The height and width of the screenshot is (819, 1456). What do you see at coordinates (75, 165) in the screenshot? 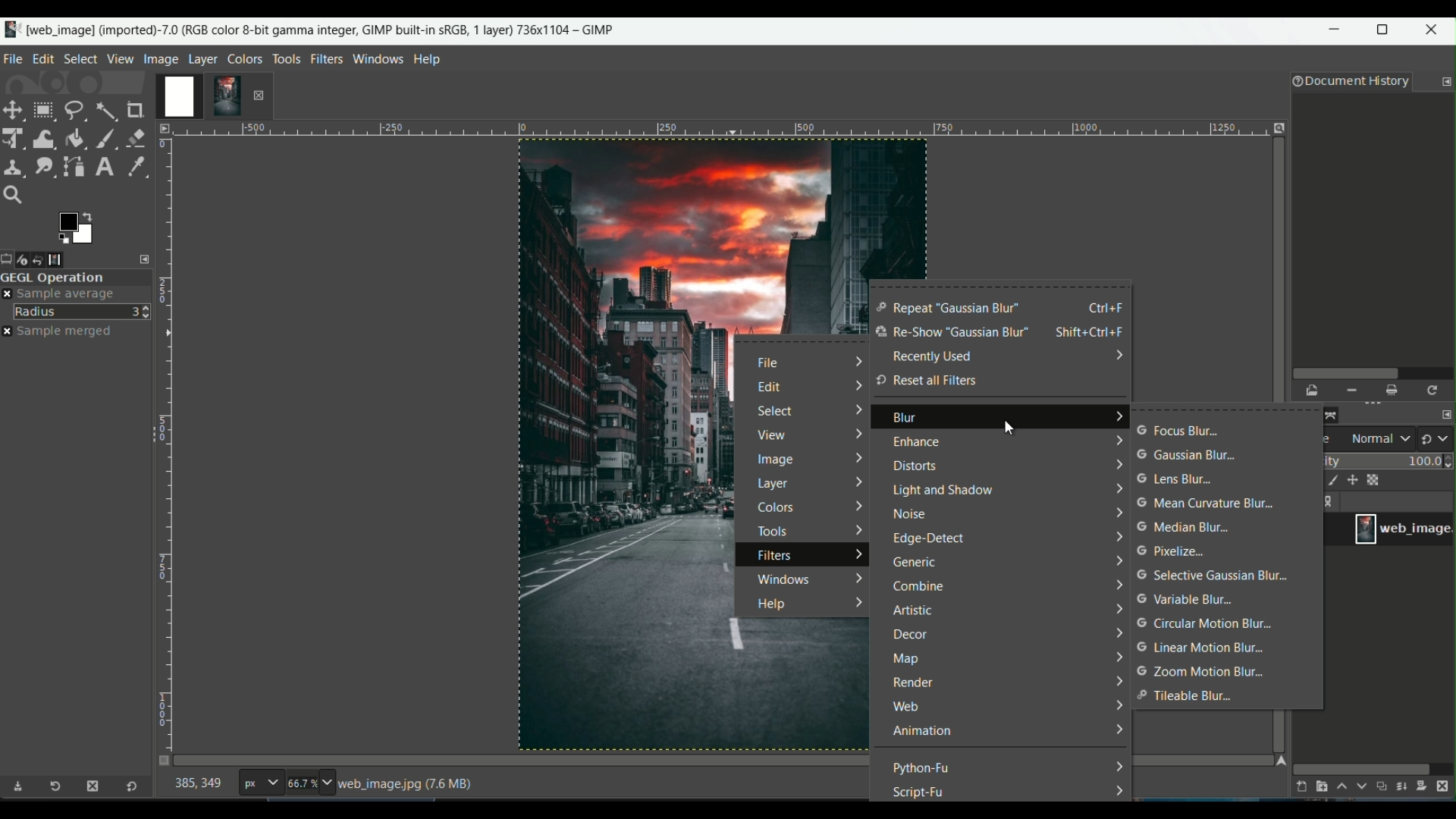
I see `path tool` at bounding box center [75, 165].